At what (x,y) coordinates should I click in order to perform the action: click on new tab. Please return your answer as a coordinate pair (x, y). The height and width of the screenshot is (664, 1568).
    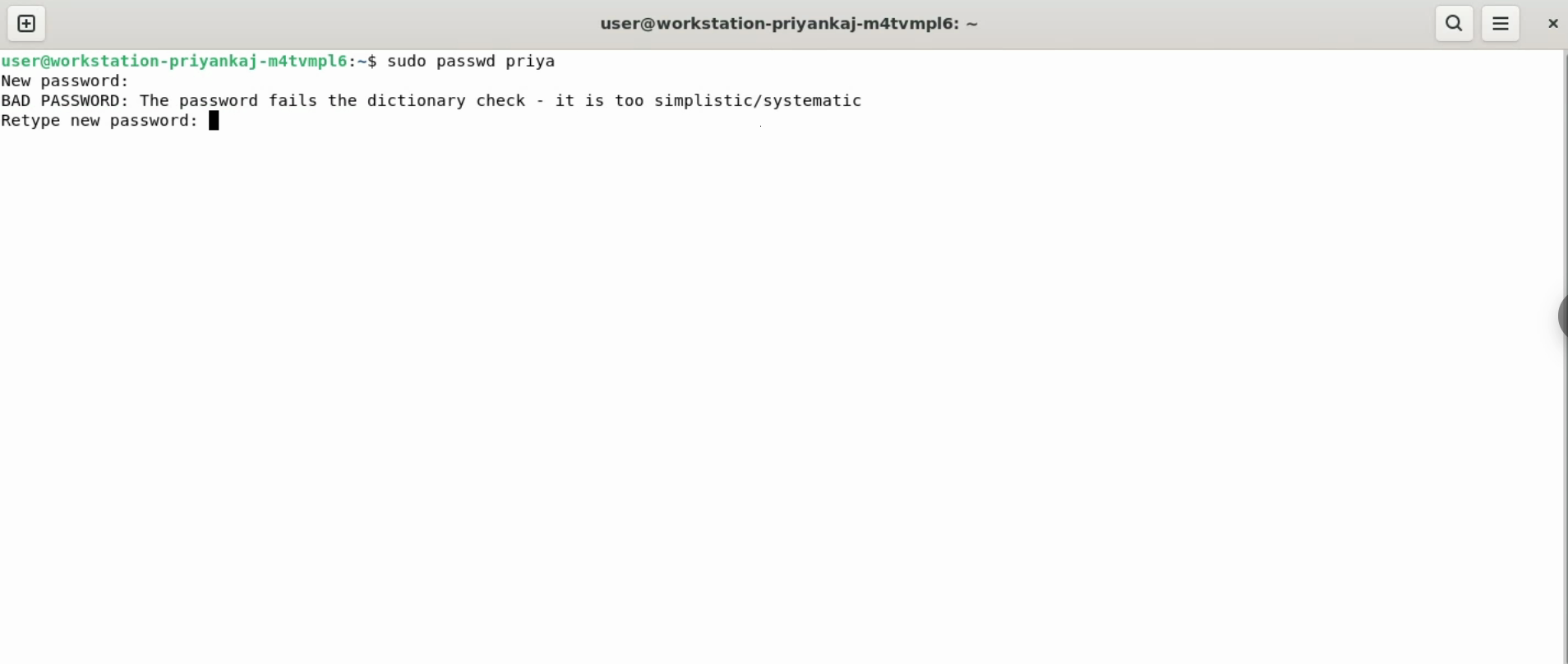
    Looking at the image, I should click on (26, 23).